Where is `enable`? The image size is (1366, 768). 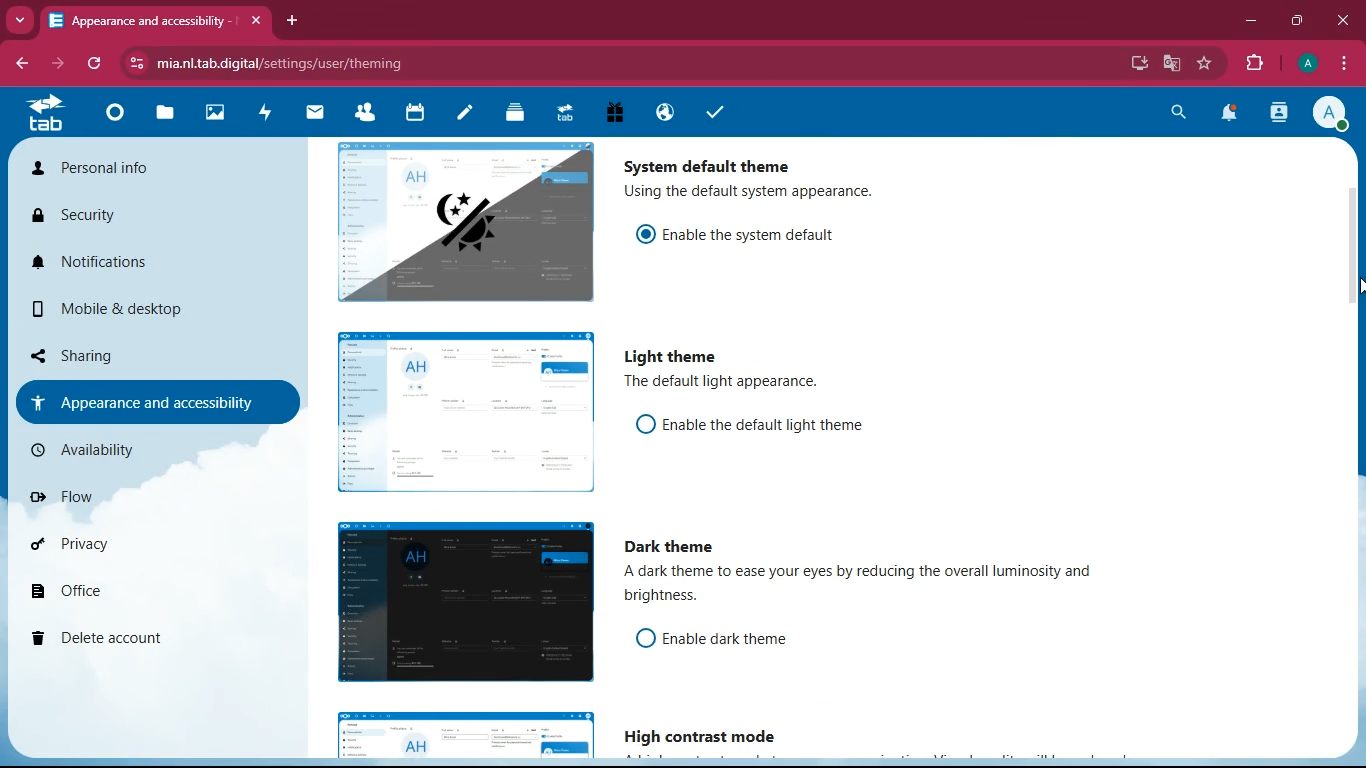
enable is located at coordinates (747, 640).